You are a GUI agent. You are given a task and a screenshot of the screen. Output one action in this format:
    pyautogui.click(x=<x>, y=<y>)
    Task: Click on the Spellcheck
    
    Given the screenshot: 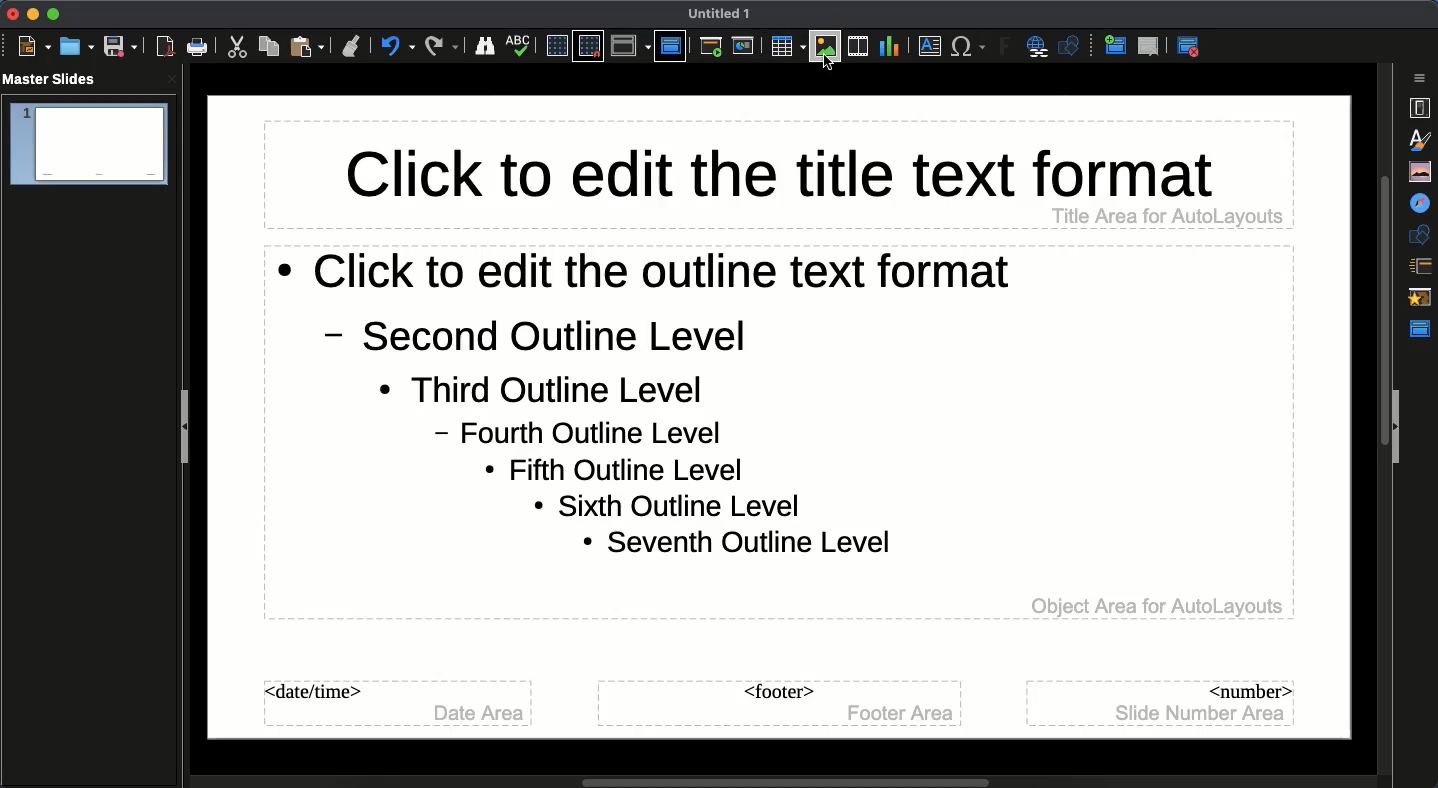 What is the action you would take?
    pyautogui.click(x=519, y=44)
    